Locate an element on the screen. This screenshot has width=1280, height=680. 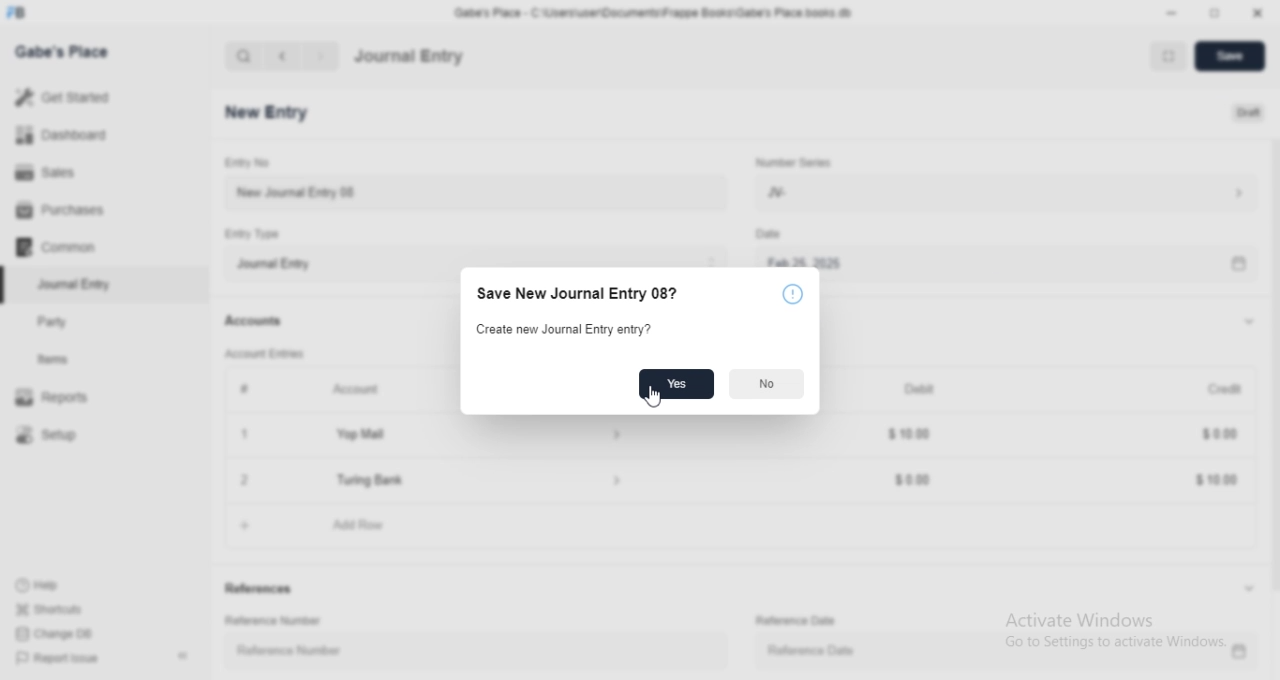
notice is located at coordinates (793, 296).